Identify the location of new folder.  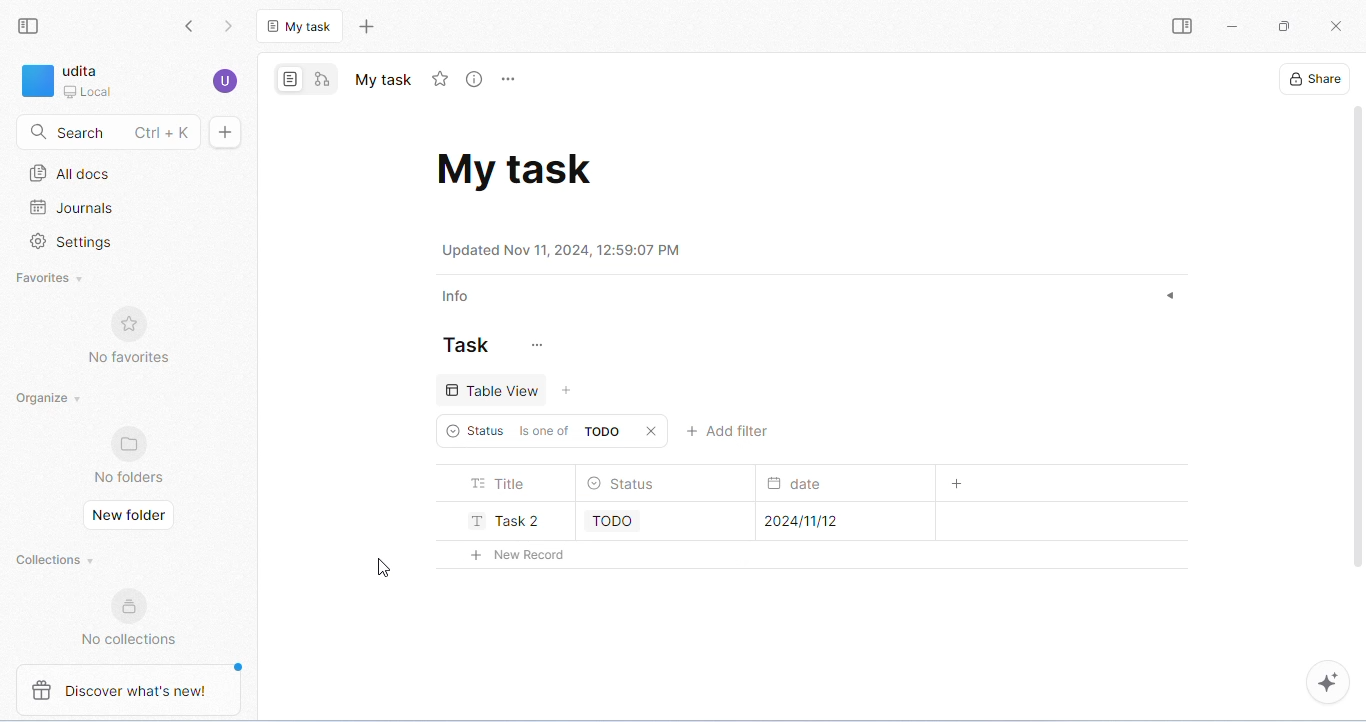
(128, 514).